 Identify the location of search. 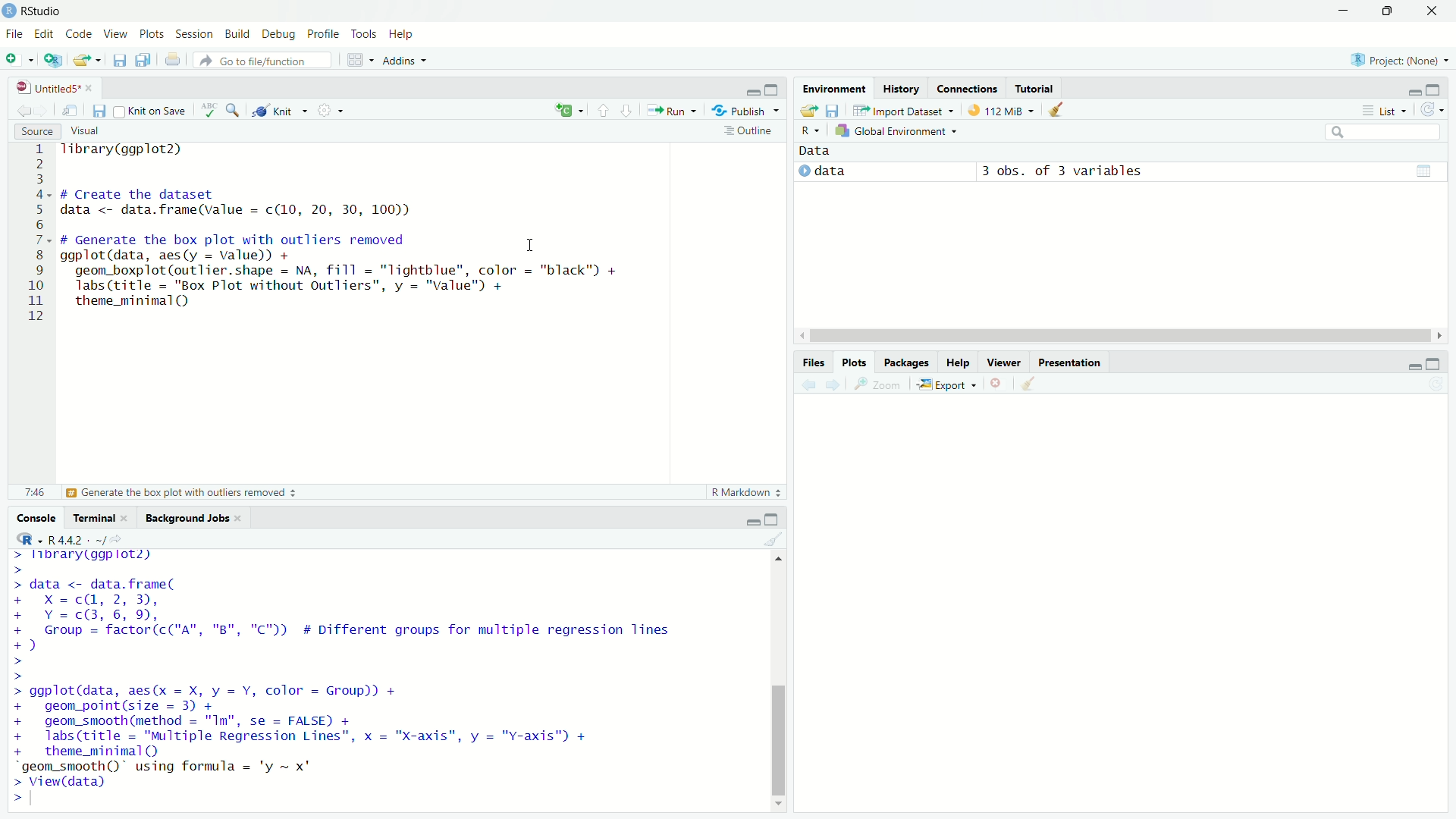
(1372, 130).